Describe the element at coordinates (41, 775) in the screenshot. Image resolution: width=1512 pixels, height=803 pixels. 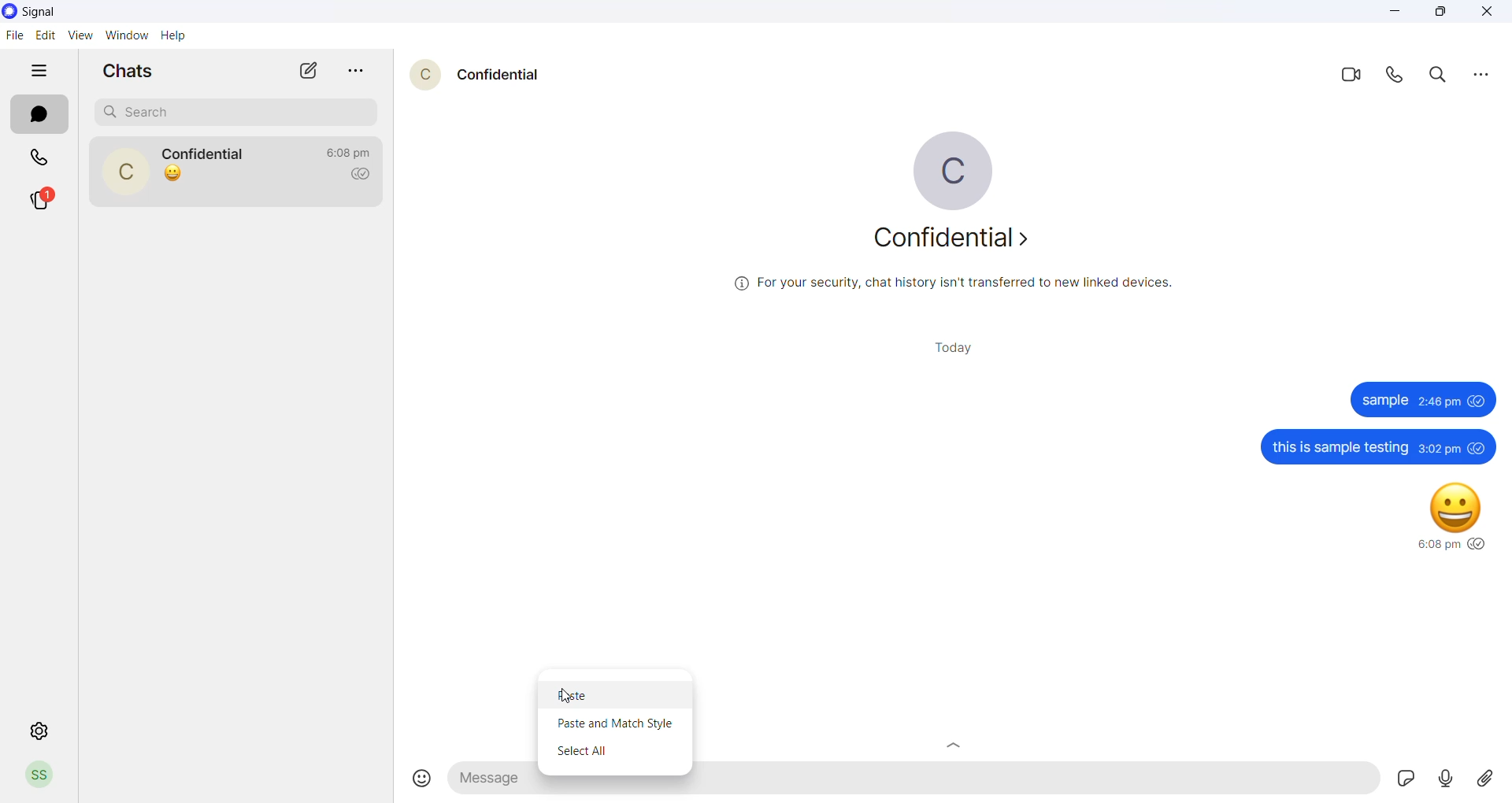
I see `Profile` at that location.